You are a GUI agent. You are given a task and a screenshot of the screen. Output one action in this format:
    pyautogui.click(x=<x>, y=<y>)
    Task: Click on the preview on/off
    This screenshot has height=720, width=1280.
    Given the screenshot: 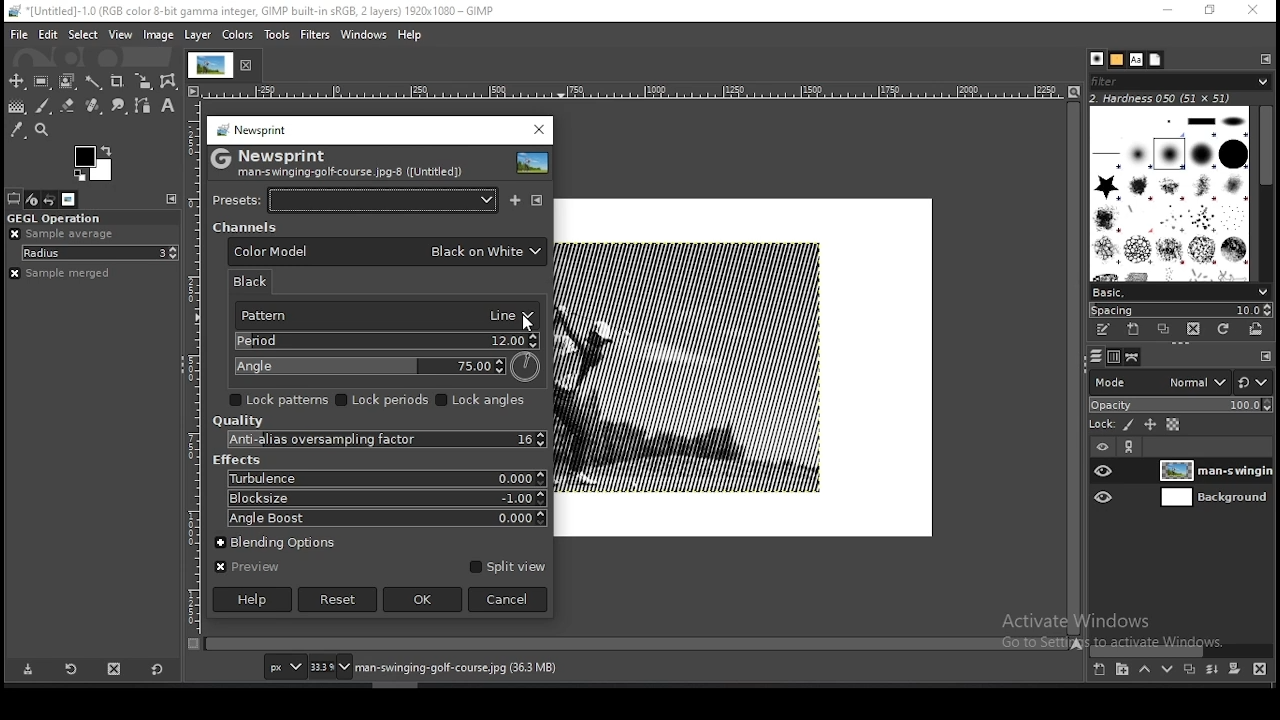 What is the action you would take?
    pyautogui.click(x=247, y=568)
    